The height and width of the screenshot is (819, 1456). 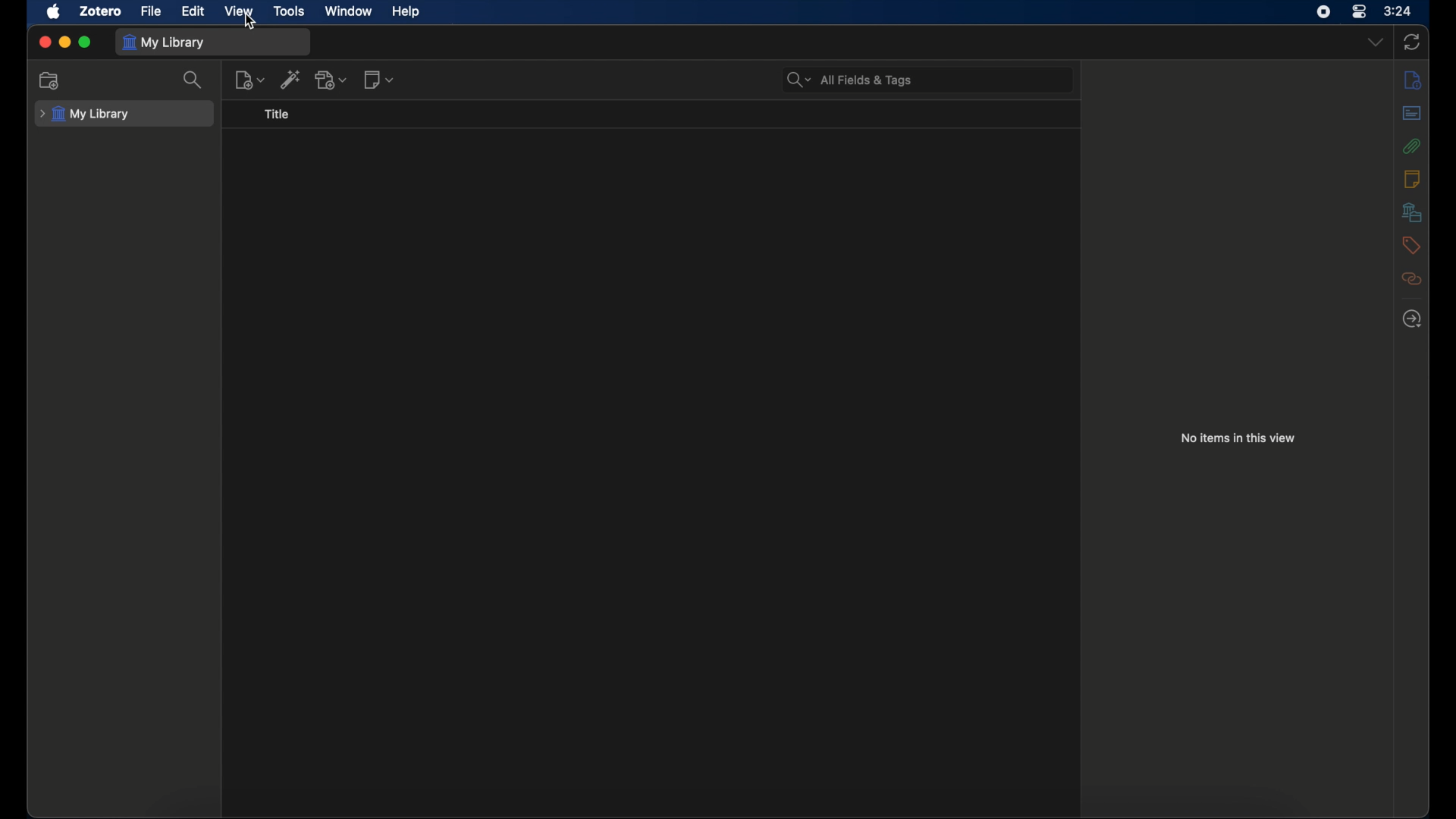 What do you see at coordinates (49, 80) in the screenshot?
I see `new collections` at bounding box center [49, 80].